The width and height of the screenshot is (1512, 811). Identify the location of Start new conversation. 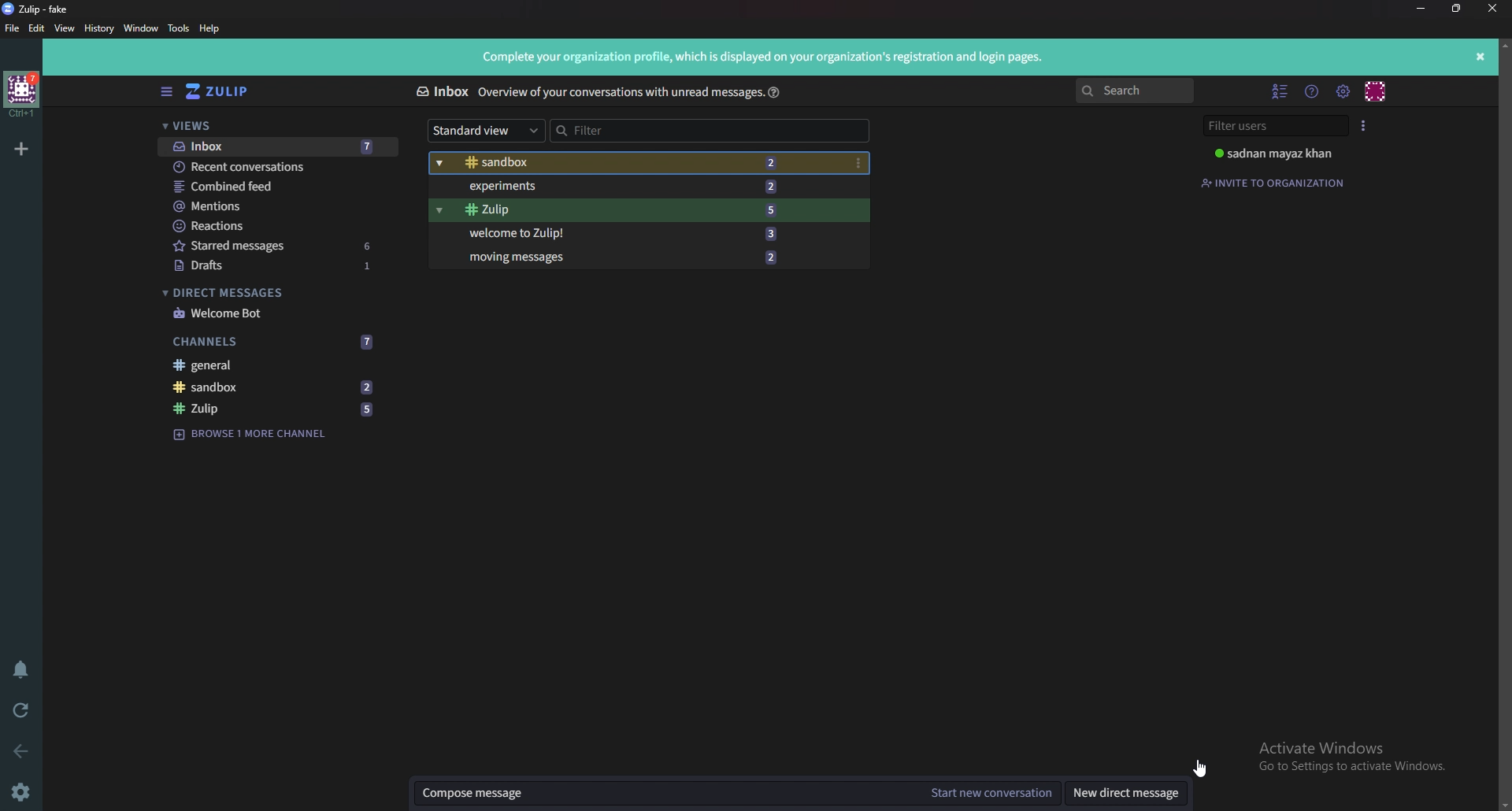
(988, 794).